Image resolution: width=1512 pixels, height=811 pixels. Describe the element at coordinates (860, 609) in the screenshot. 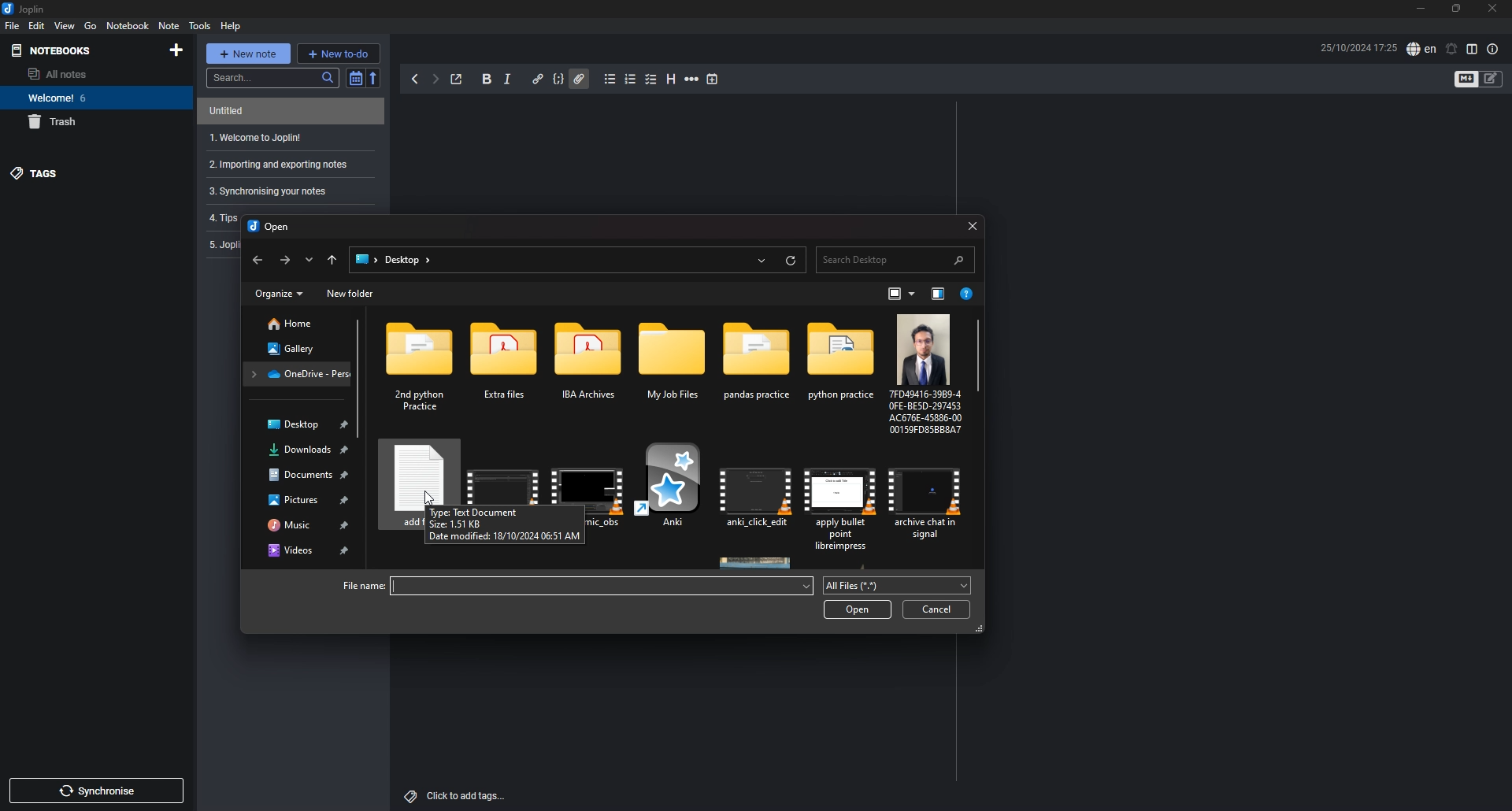

I see `open` at that location.